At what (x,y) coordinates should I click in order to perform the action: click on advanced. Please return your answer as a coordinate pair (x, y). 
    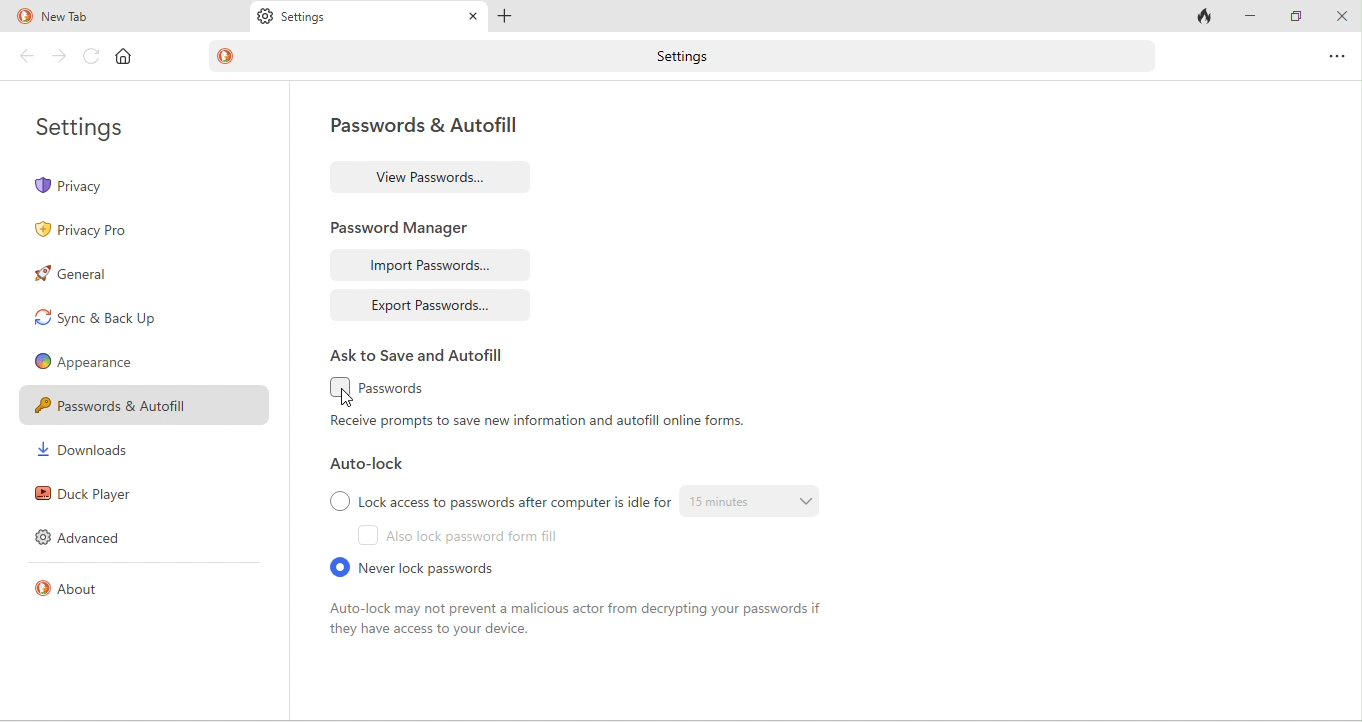
    Looking at the image, I should click on (88, 540).